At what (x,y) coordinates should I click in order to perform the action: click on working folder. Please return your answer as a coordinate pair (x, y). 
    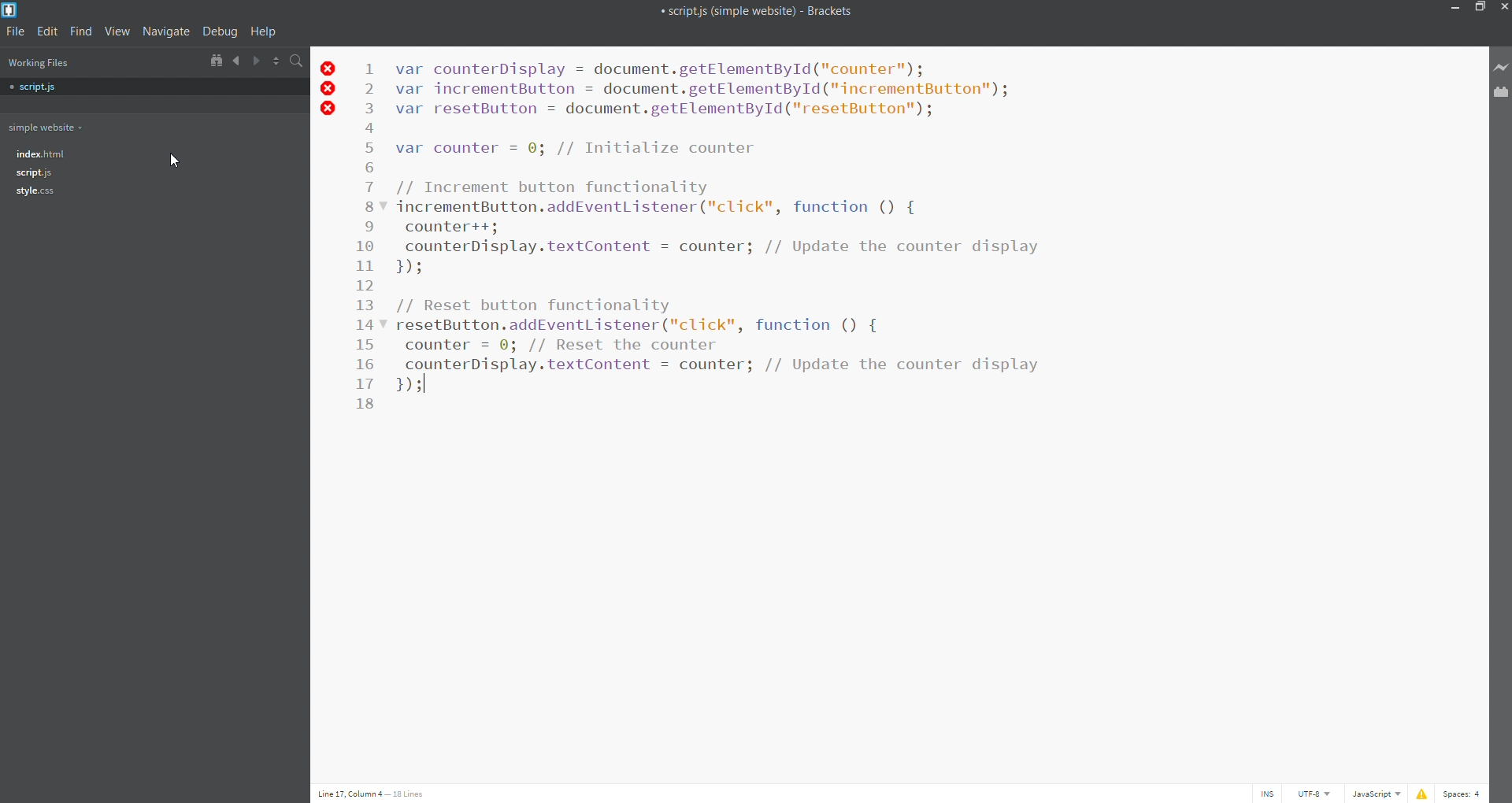
    Looking at the image, I should click on (48, 128).